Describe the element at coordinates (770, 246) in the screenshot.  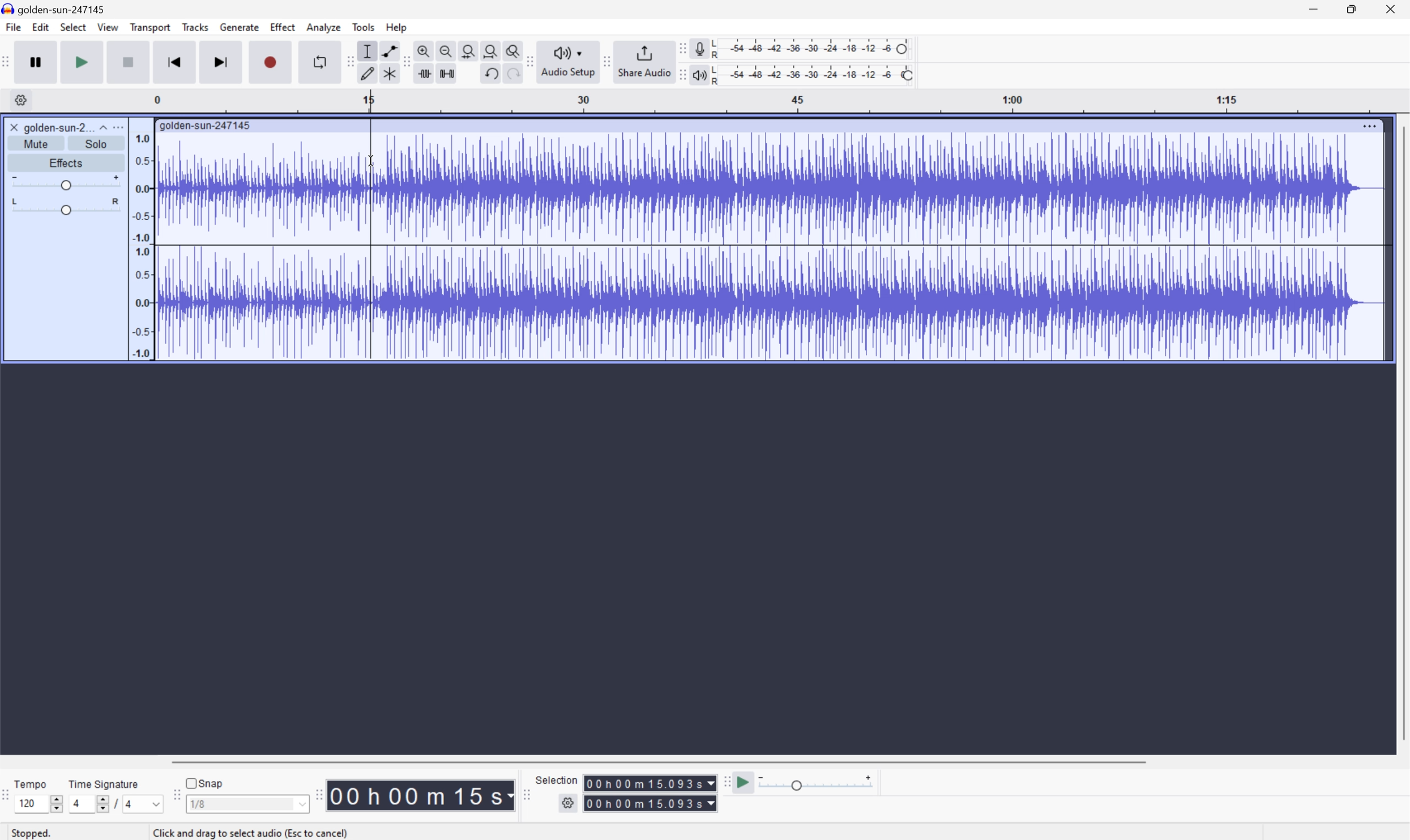
I see `Audio` at that location.